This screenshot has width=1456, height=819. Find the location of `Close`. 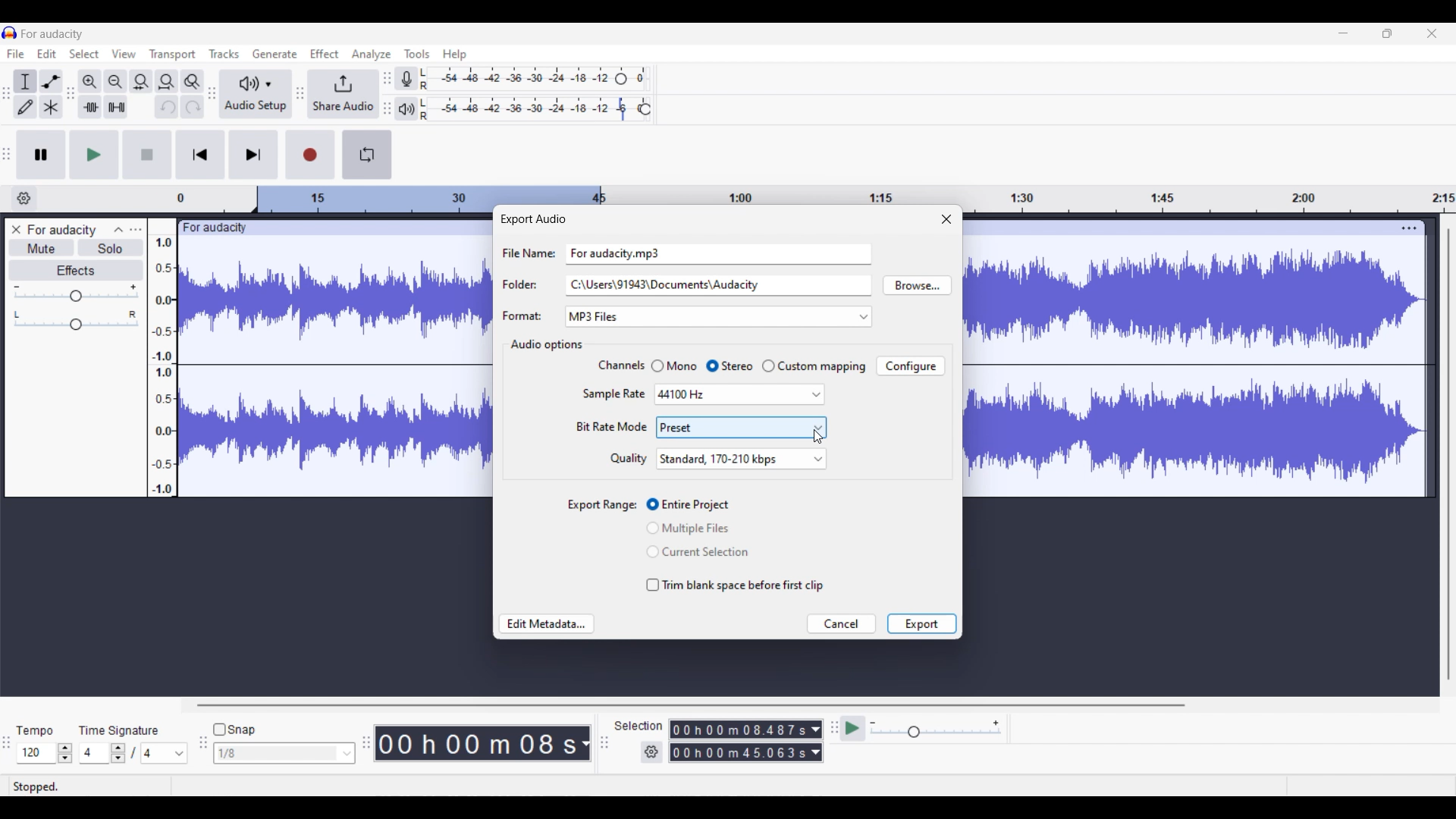

Close is located at coordinates (946, 218).